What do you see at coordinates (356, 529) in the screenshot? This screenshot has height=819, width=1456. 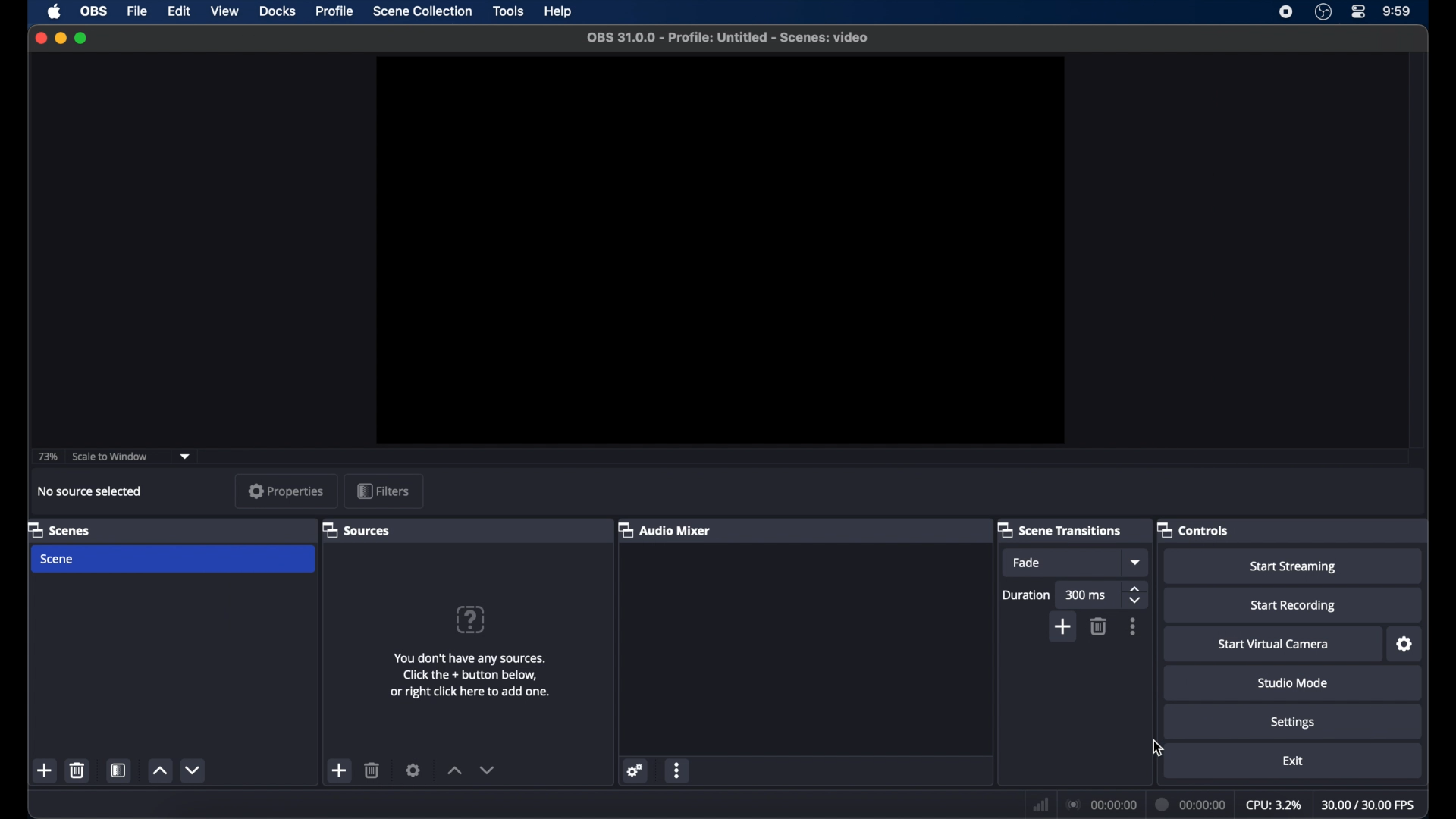 I see `sources` at bounding box center [356, 529].